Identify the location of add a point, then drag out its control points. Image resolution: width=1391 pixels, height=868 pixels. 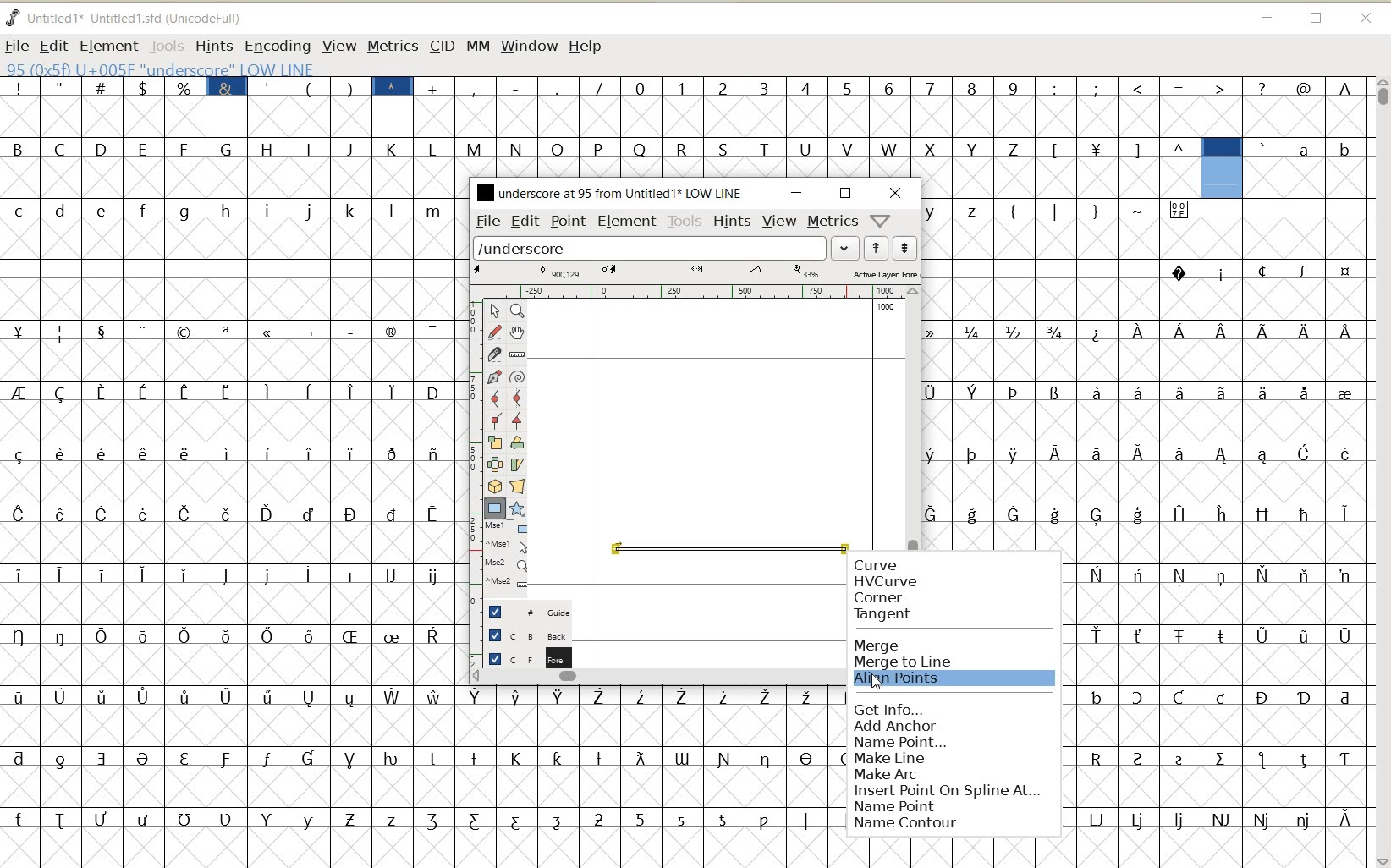
(495, 377).